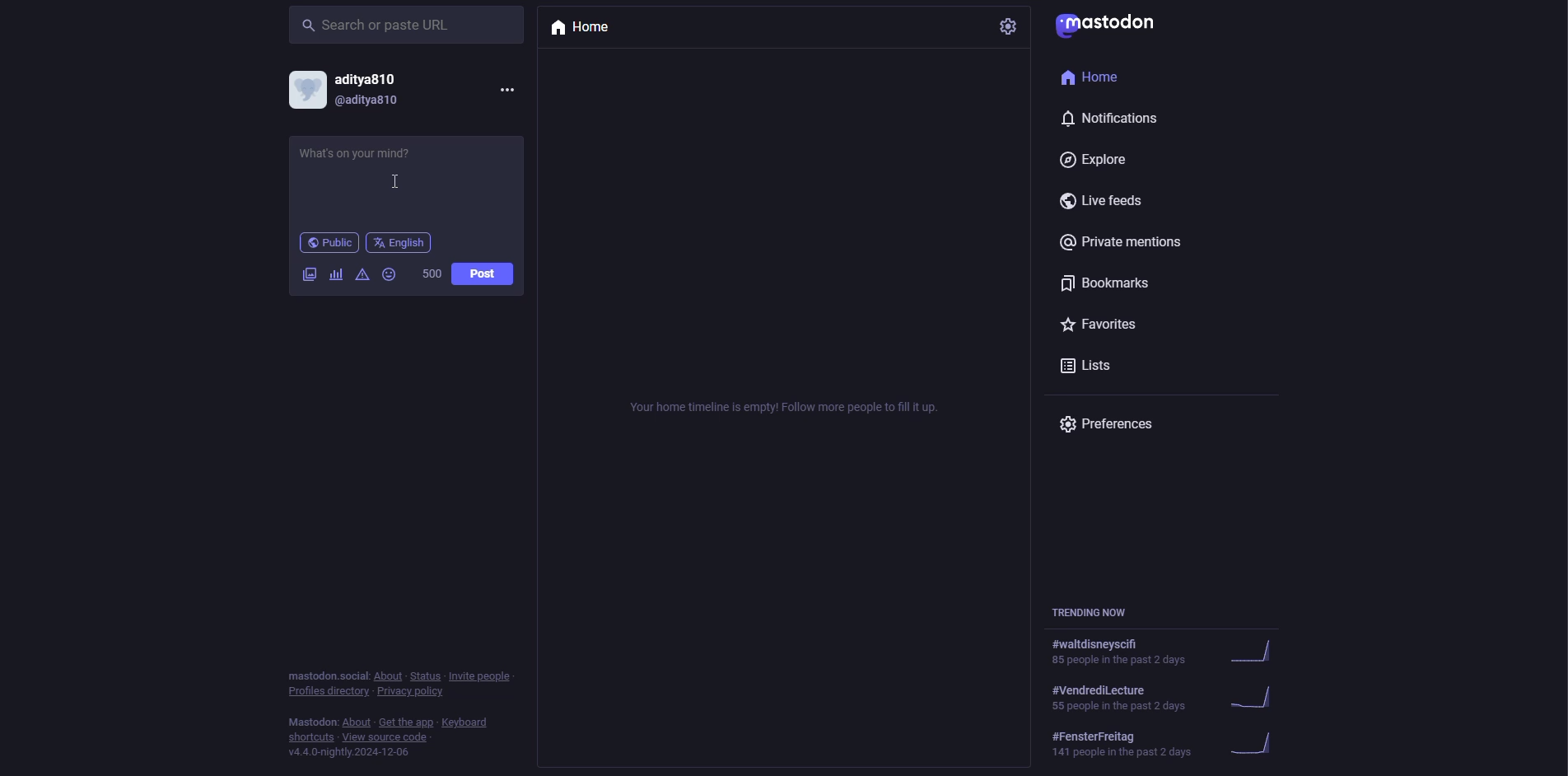 This screenshot has height=776, width=1568. I want to click on post, so click(482, 273).